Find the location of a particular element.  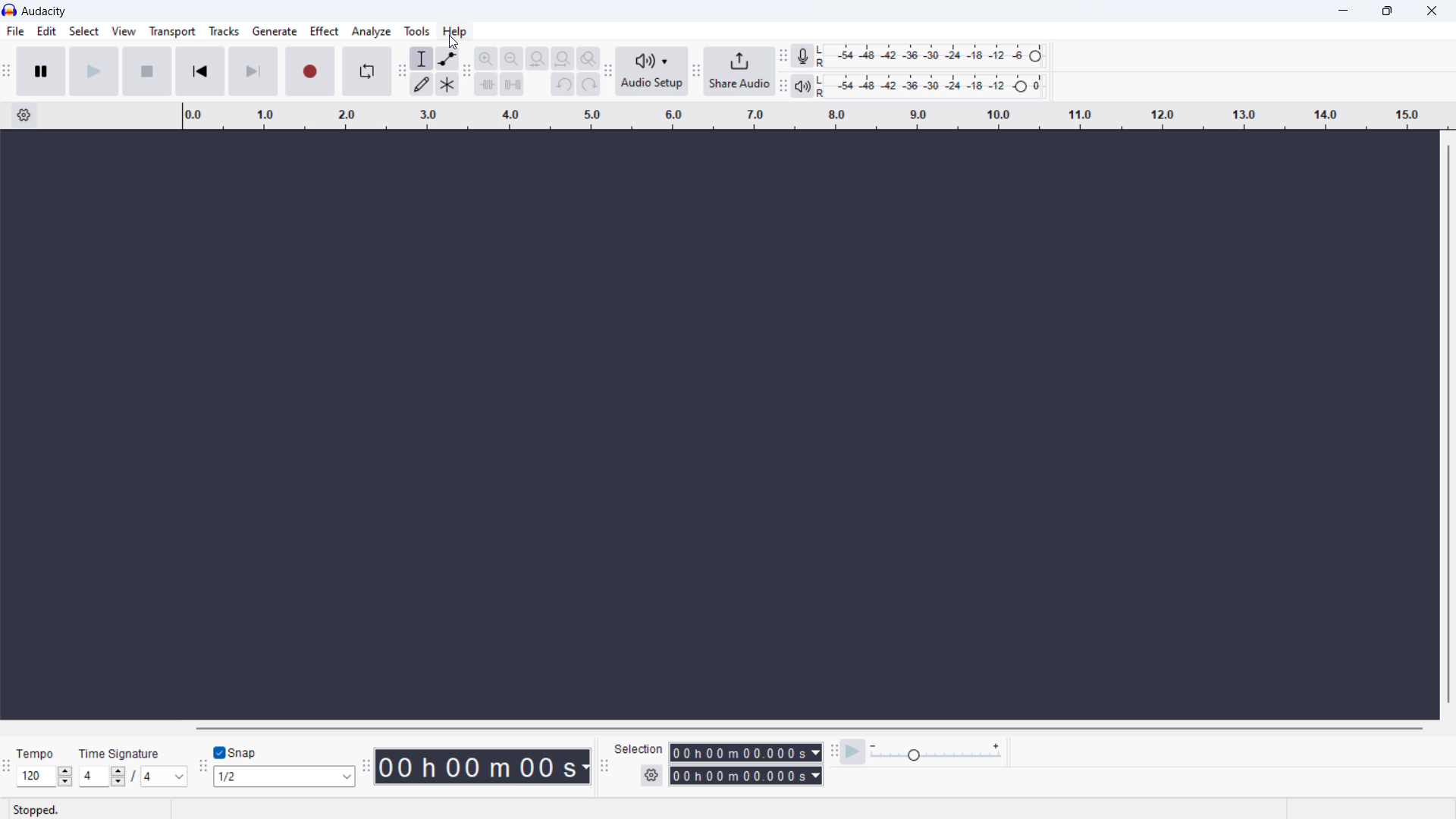

transort toolbar is located at coordinates (7, 71).